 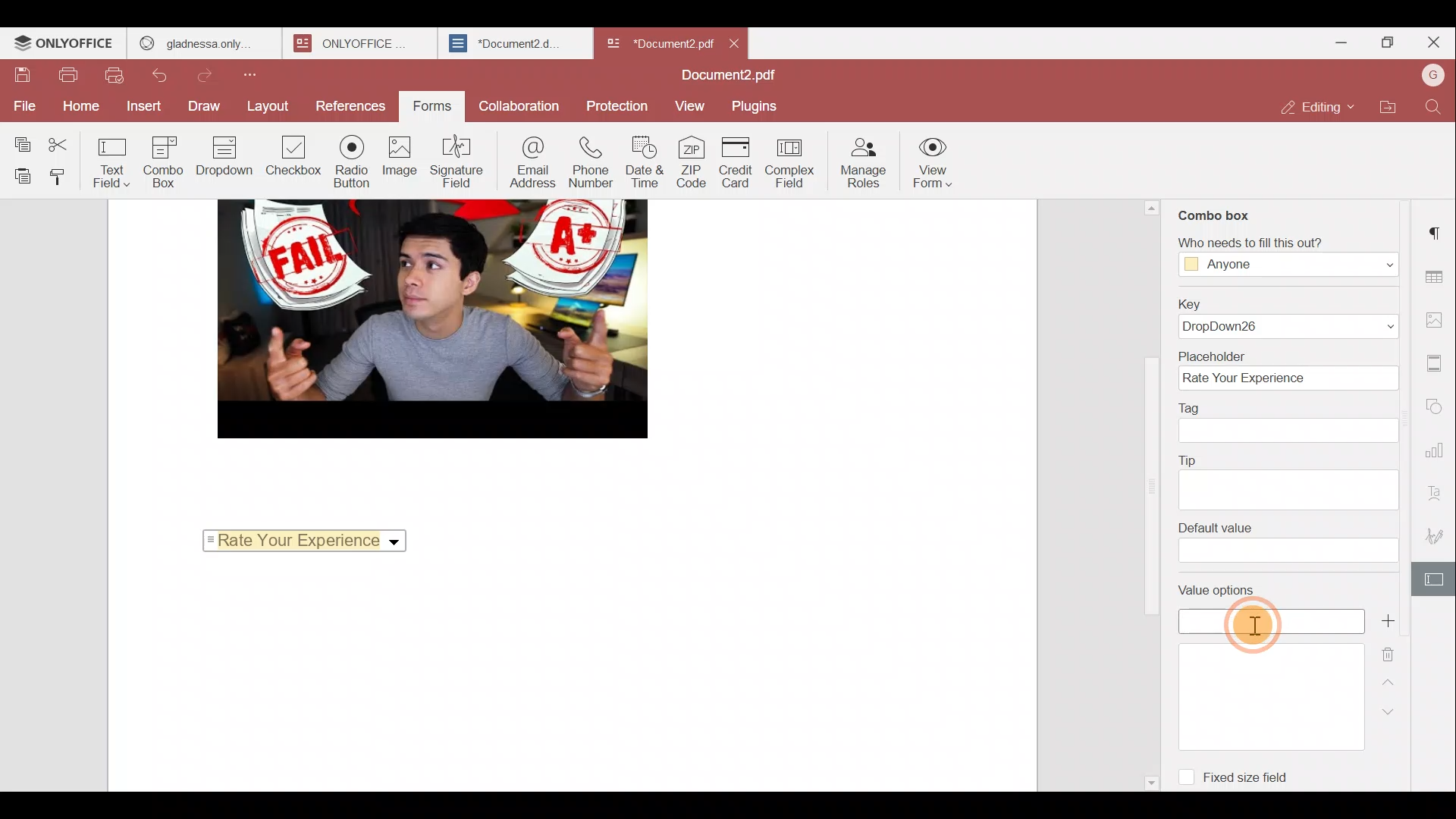 What do you see at coordinates (140, 106) in the screenshot?
I see `Insert` at bounding box center [140, 106].